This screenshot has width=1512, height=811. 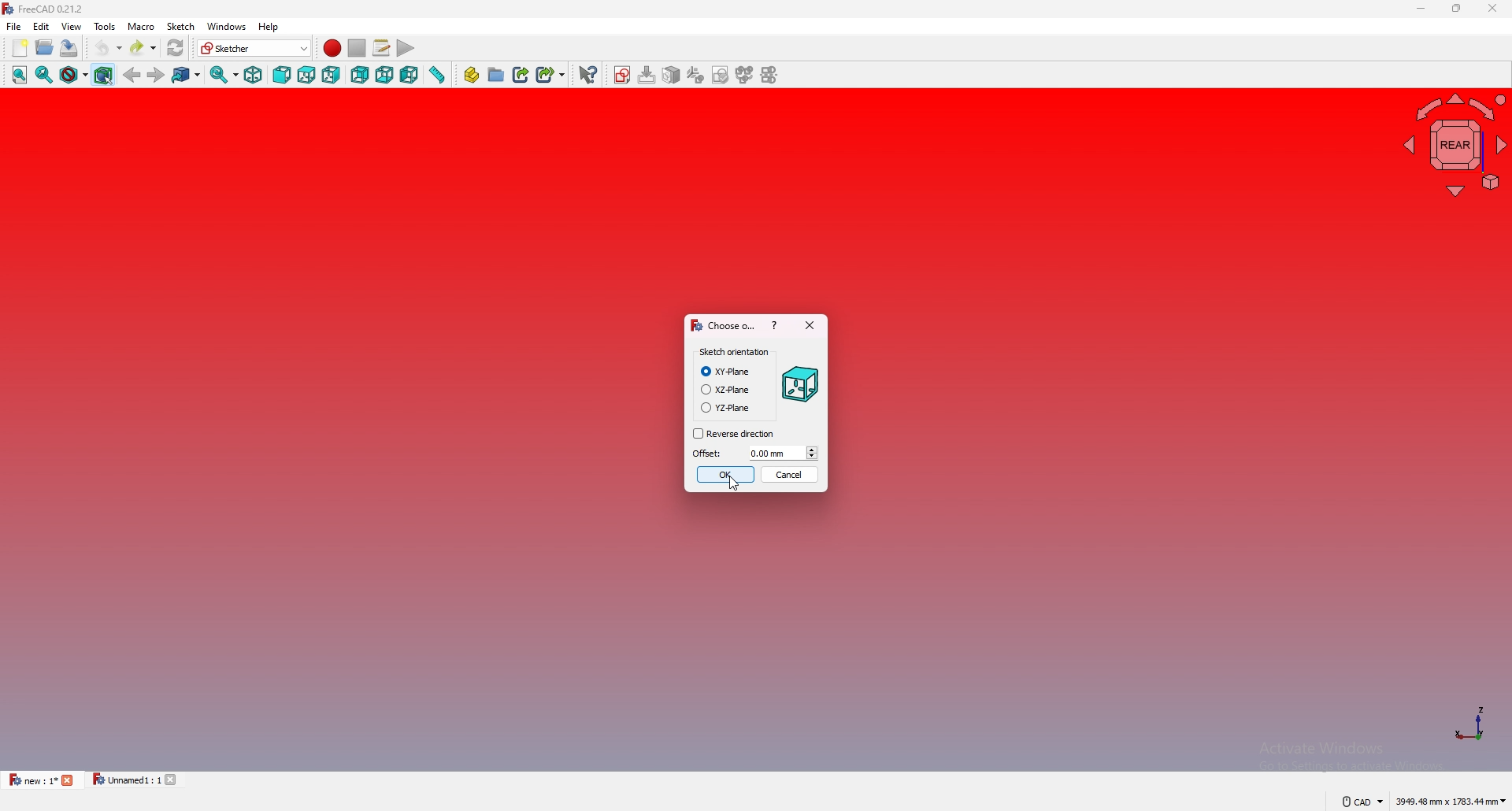 What do you see at coordinates (1421, 9) in the screenshot?
I see `minimize` at bounding box center [1421, 9].